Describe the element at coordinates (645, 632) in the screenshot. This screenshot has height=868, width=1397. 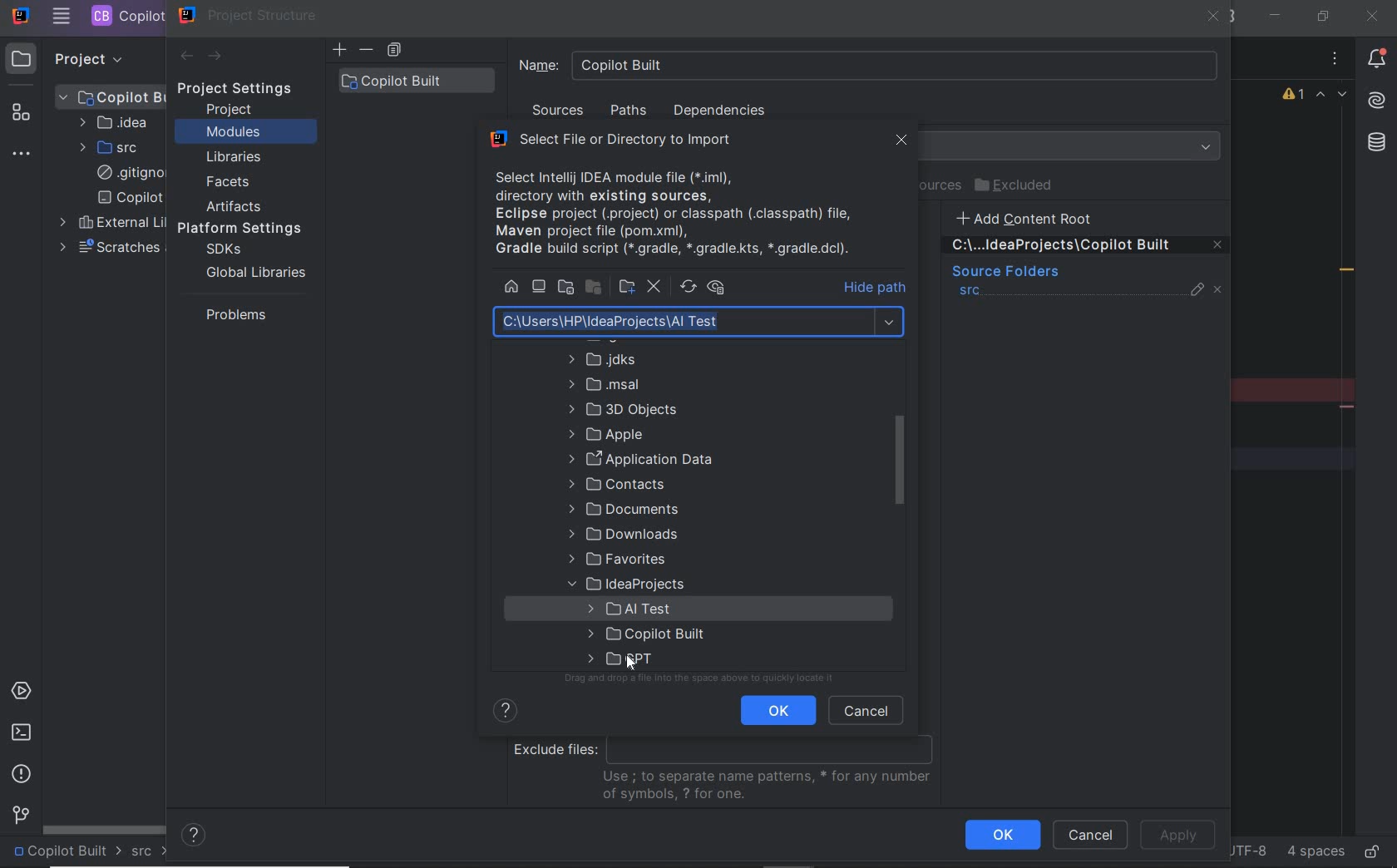
I see `folder` at that location.